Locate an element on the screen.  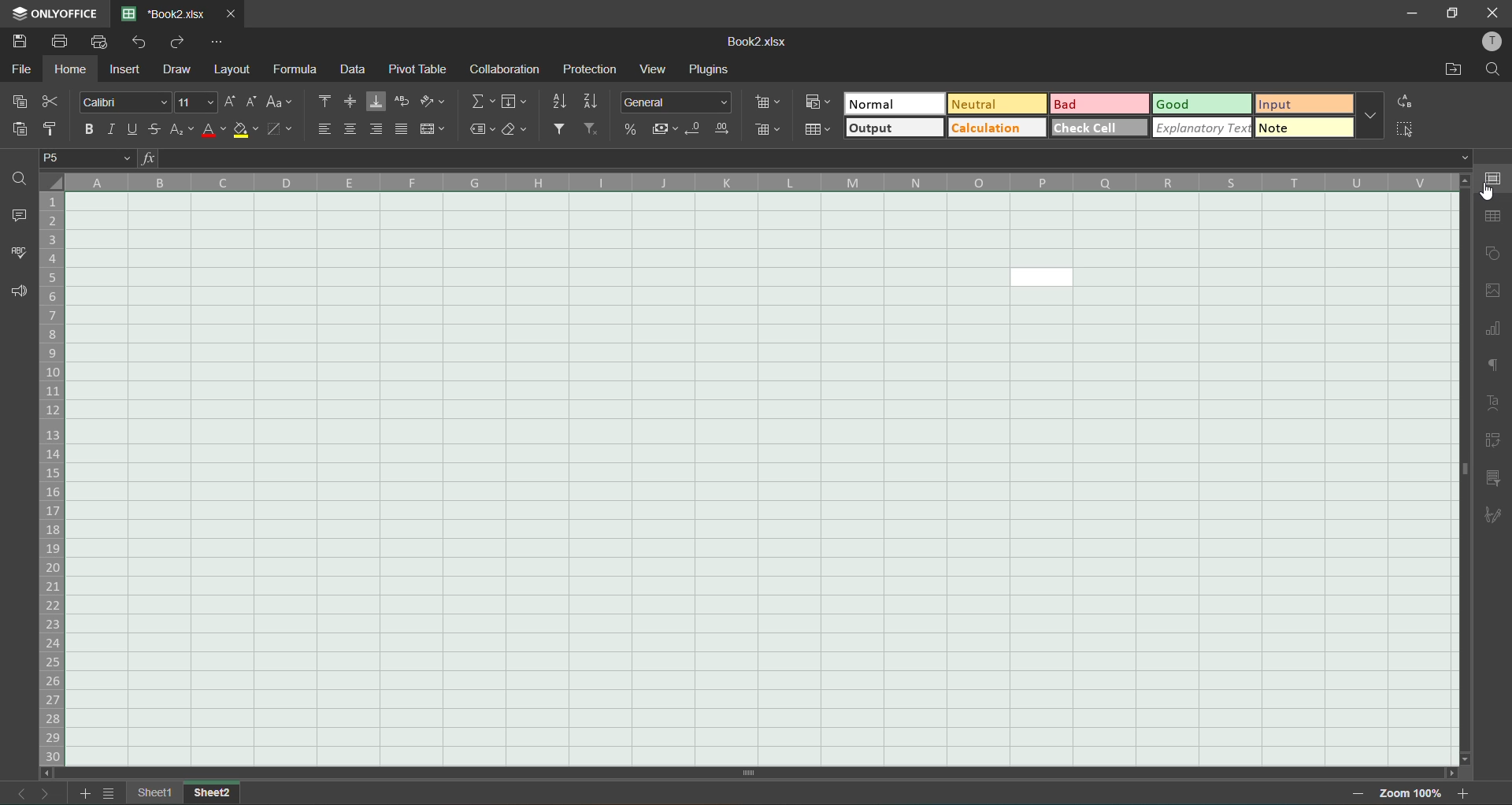
comments is located at coordinates (20, 214).